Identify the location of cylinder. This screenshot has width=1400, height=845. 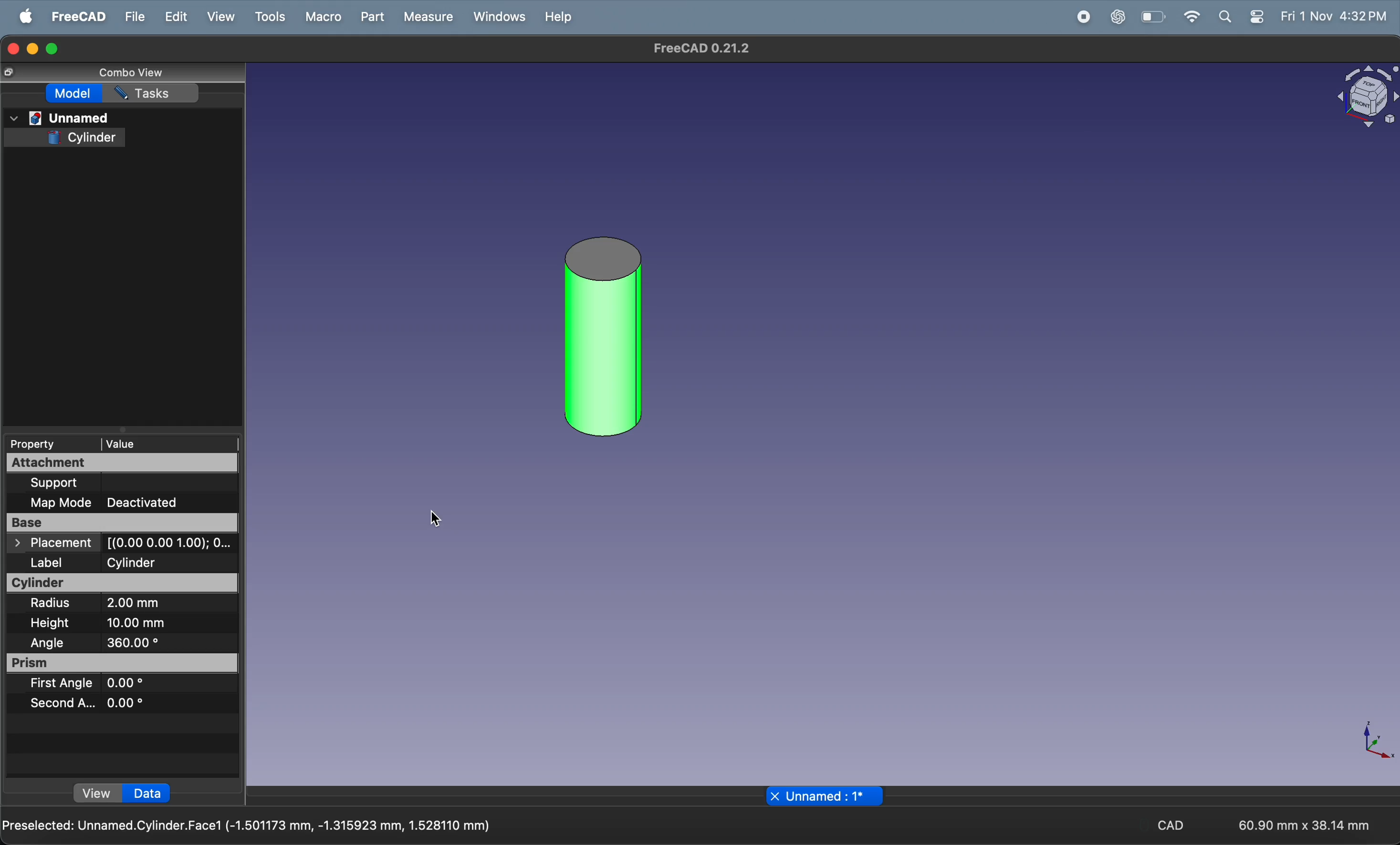
(161, 562).